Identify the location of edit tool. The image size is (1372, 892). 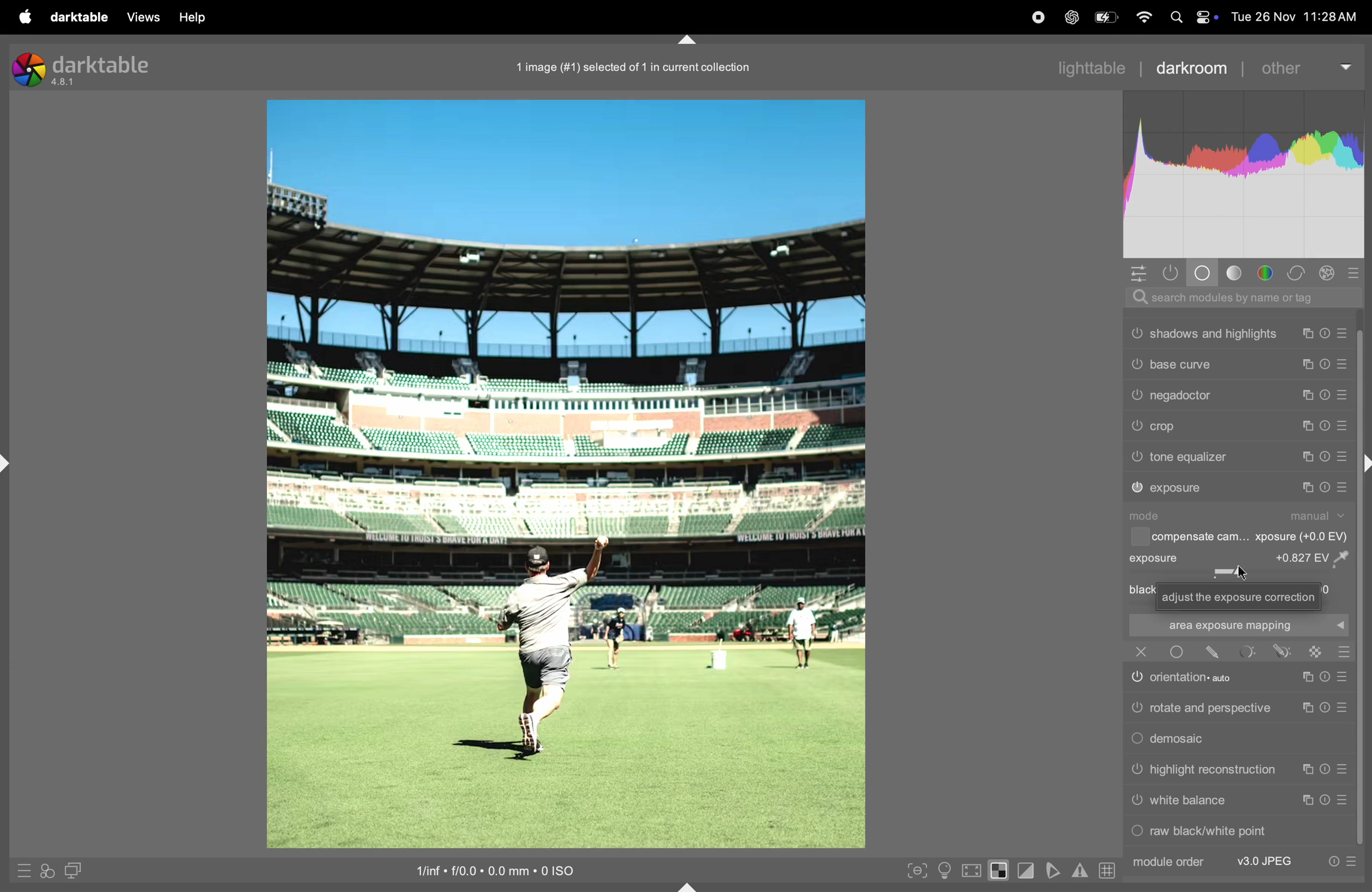
(1282, 651).